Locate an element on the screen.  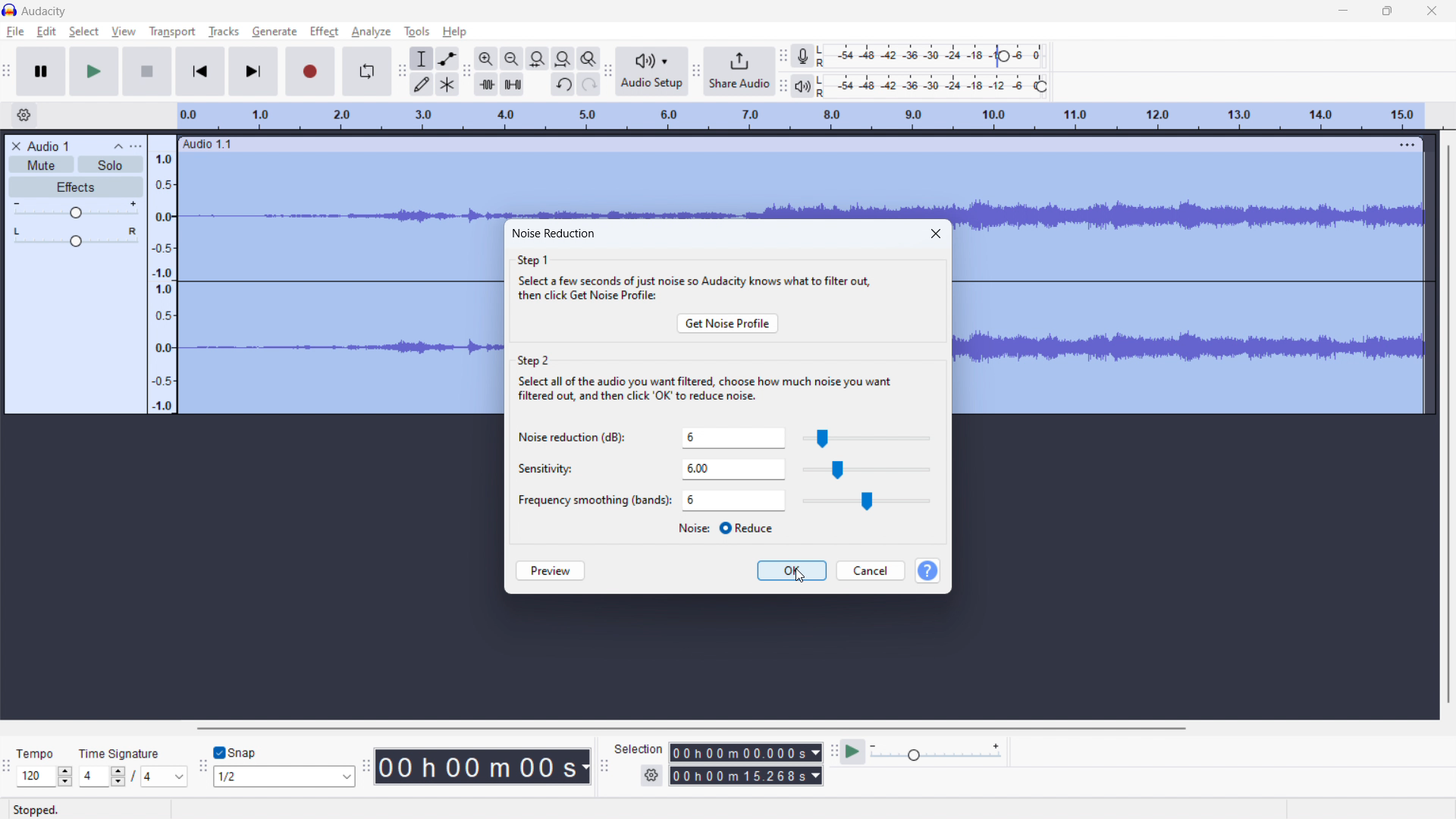
title is located at coordinates (47, 146).